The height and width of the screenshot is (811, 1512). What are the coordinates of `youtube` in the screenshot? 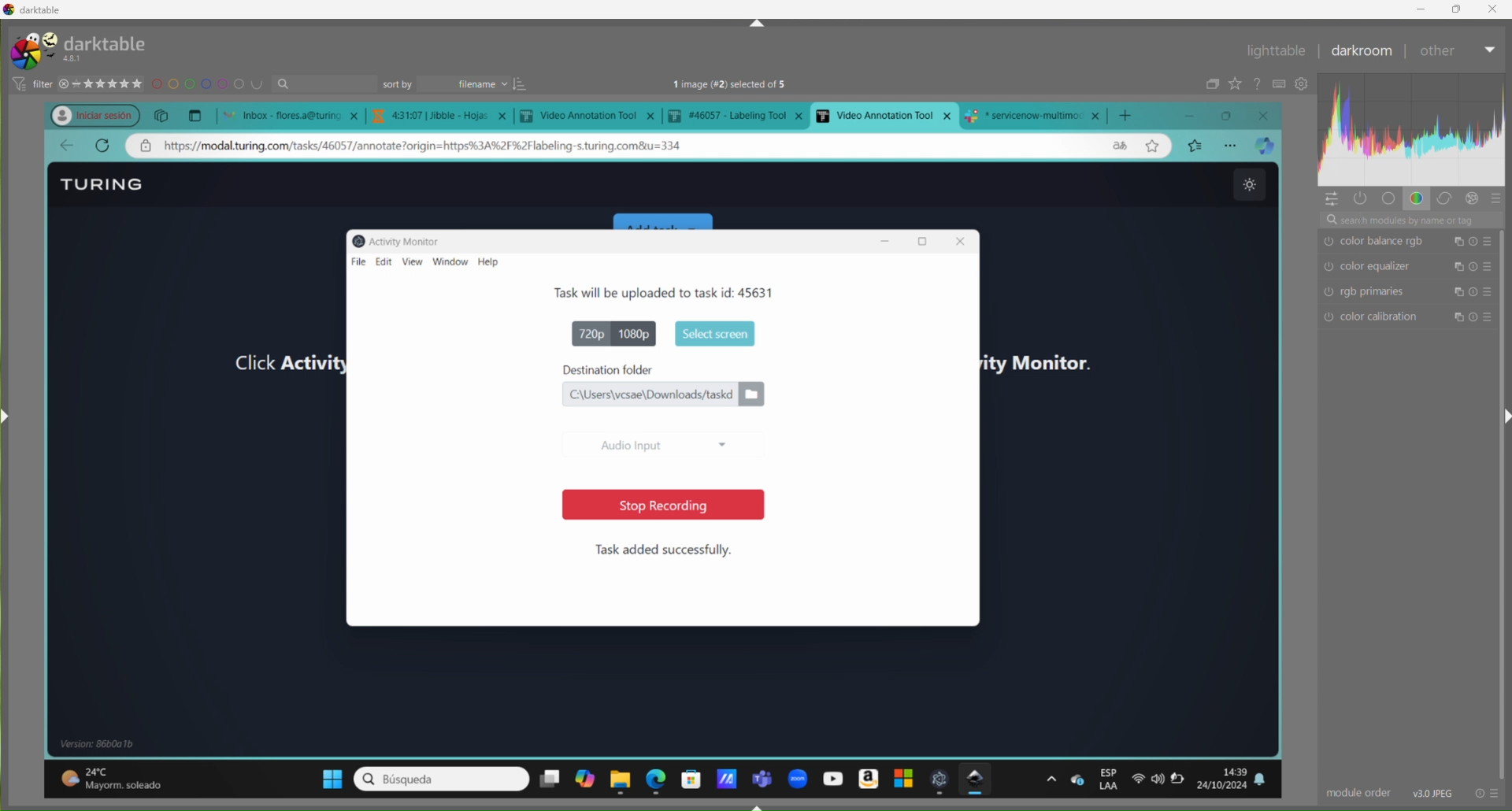 It's located at (830, 778).